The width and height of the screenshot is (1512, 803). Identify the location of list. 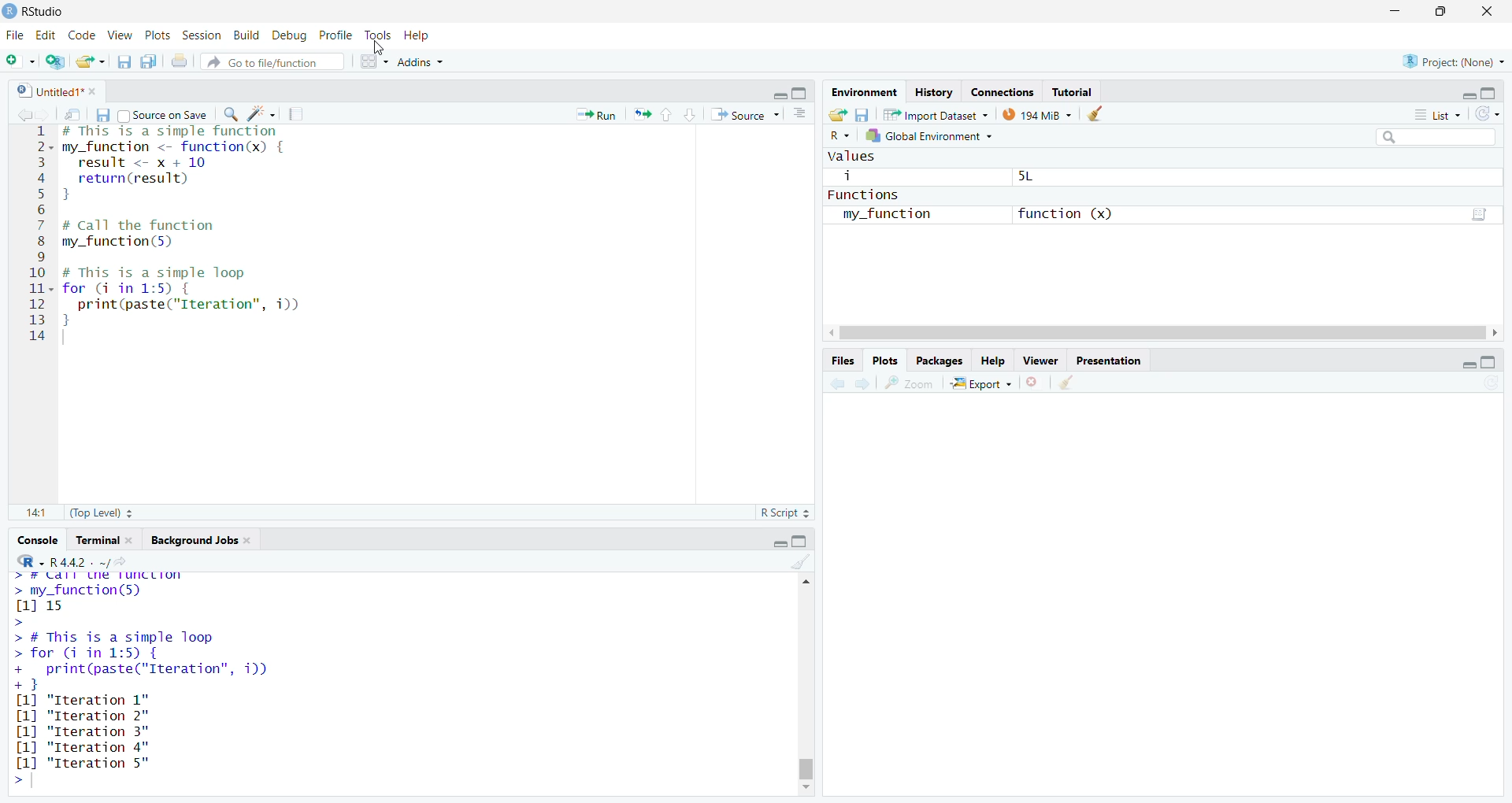
(1436, 117).